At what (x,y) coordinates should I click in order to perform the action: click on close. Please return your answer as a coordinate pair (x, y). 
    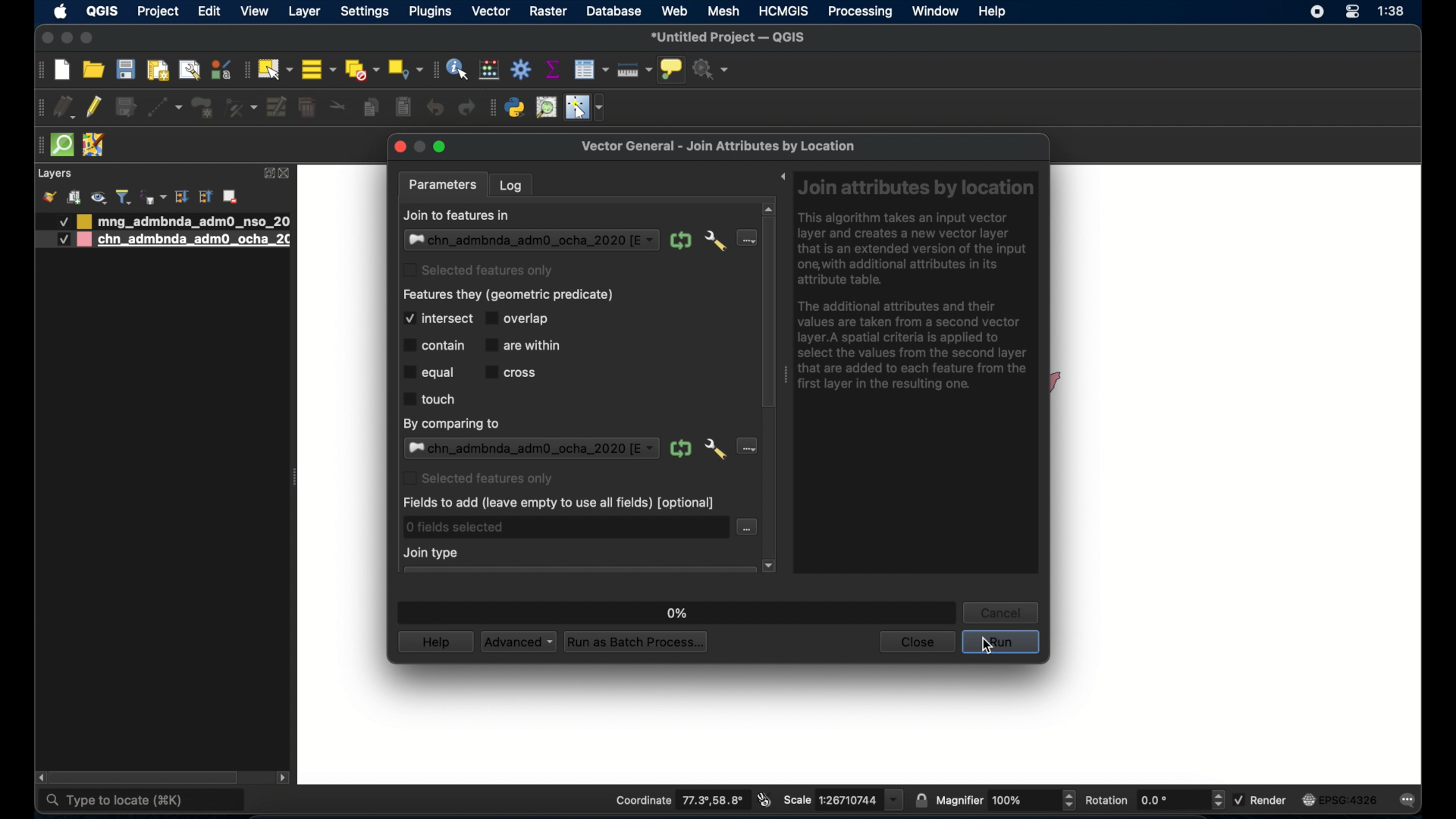
    Looking at the image, I should click on (288, 174).